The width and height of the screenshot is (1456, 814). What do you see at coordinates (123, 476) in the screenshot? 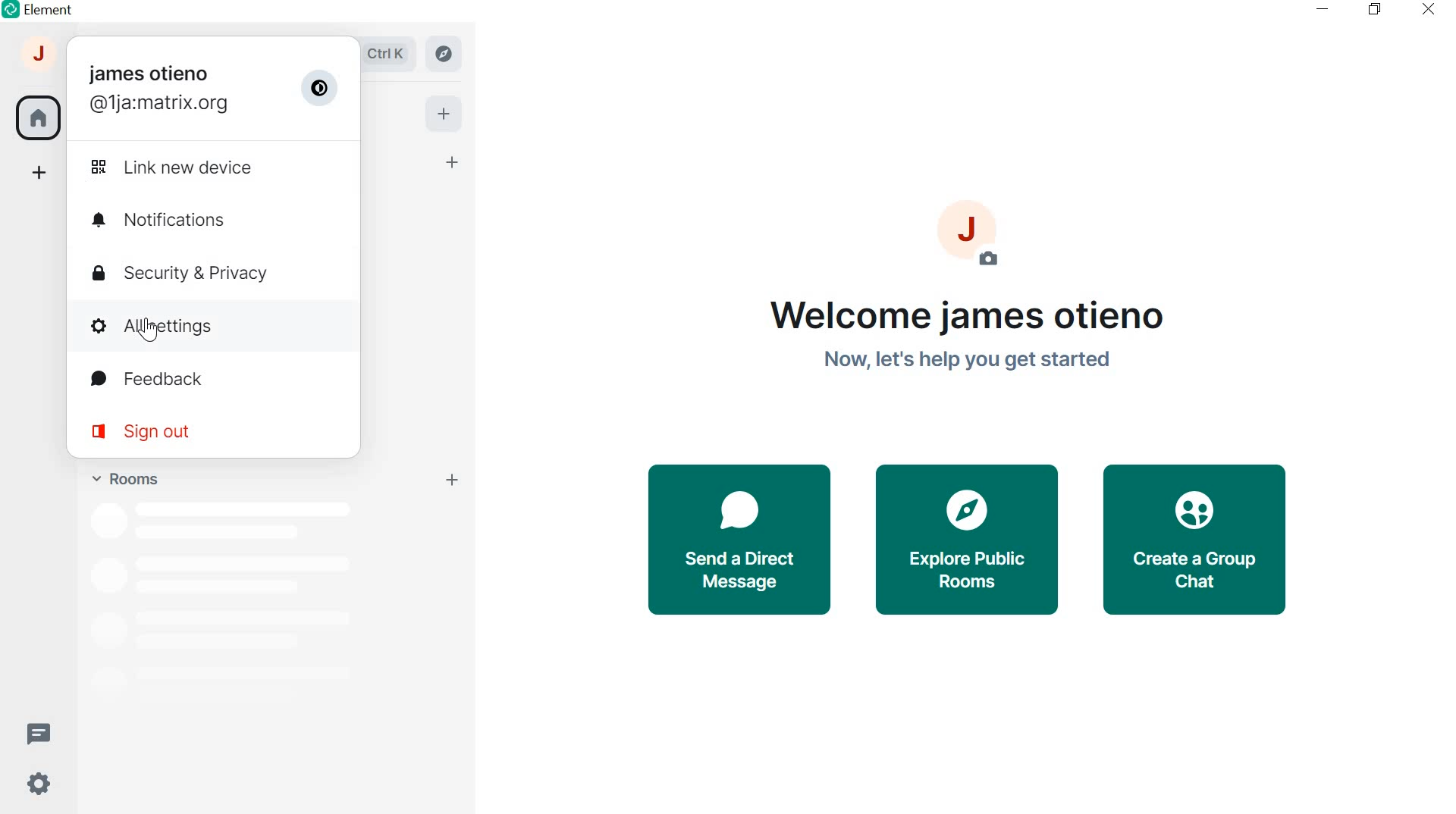
I see `ROOMS` at bounding box center [123, 476].